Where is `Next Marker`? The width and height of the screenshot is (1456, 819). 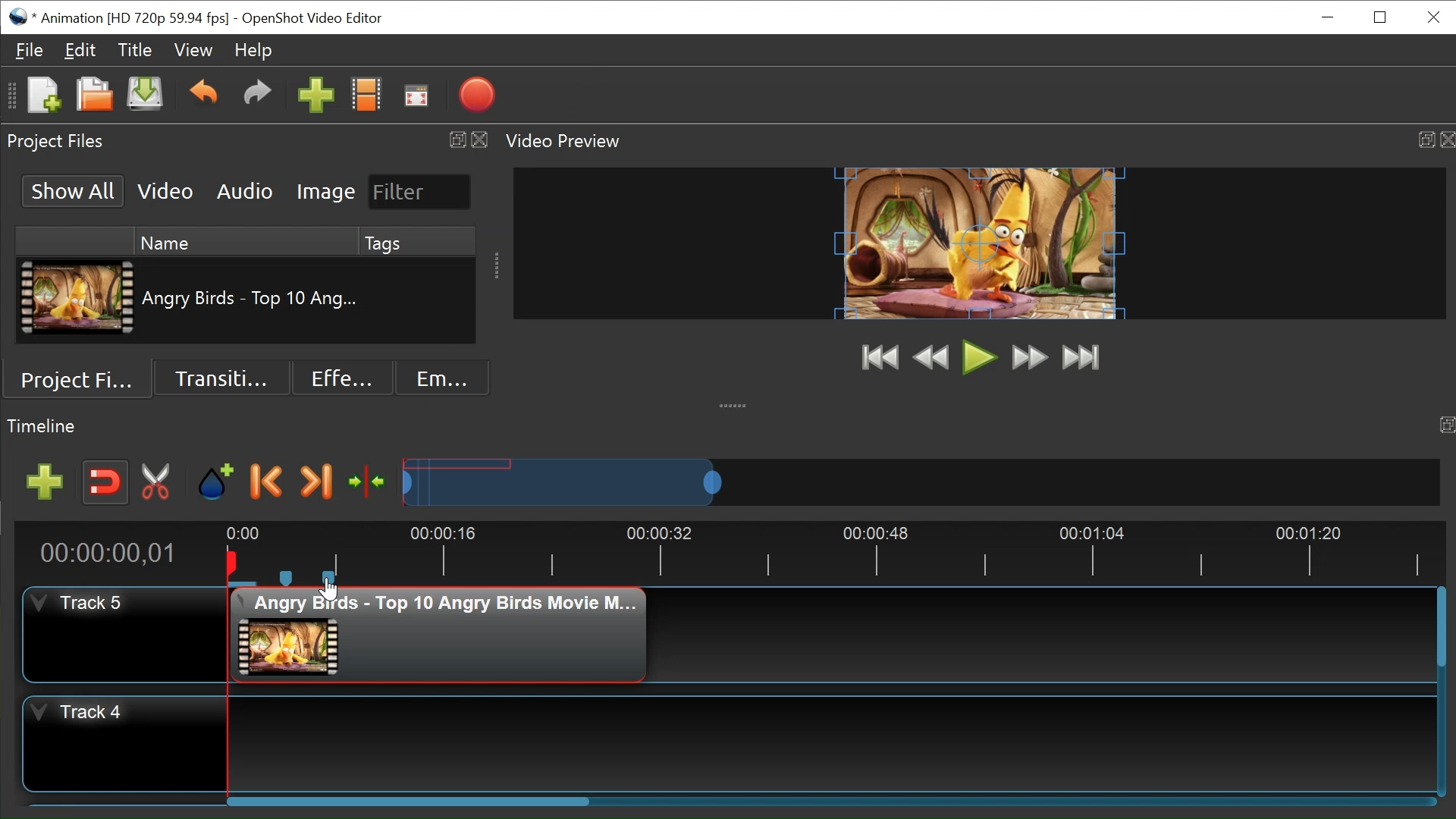
Next Marker is located at coordinates (315, 482).